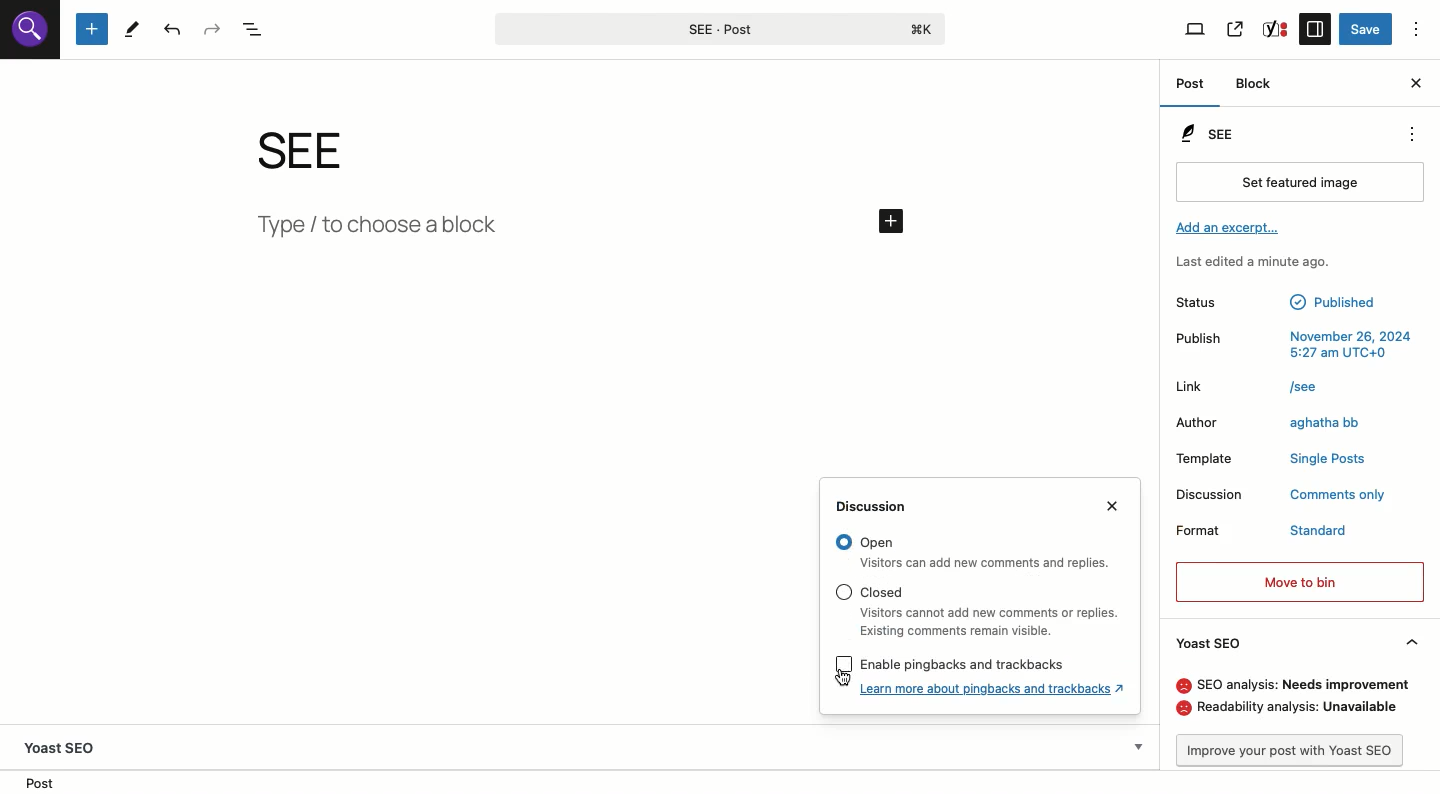 The image size is (1440, 794). What do you see at coordinates (174, 30) in the screenshot?
I see `Undo` at bounding box center [174, 30].